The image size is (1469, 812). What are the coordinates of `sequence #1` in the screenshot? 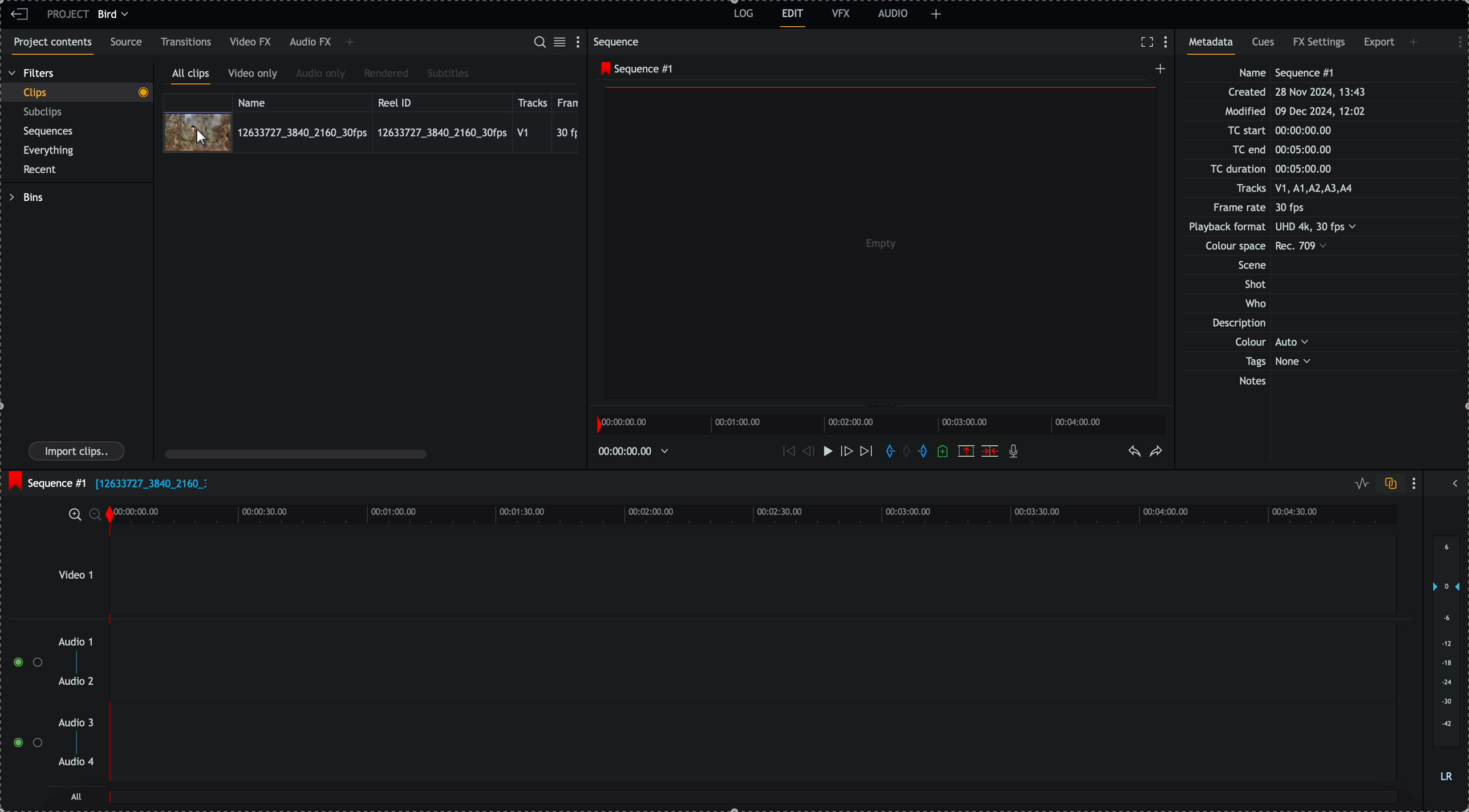 It's located at (634, 69).